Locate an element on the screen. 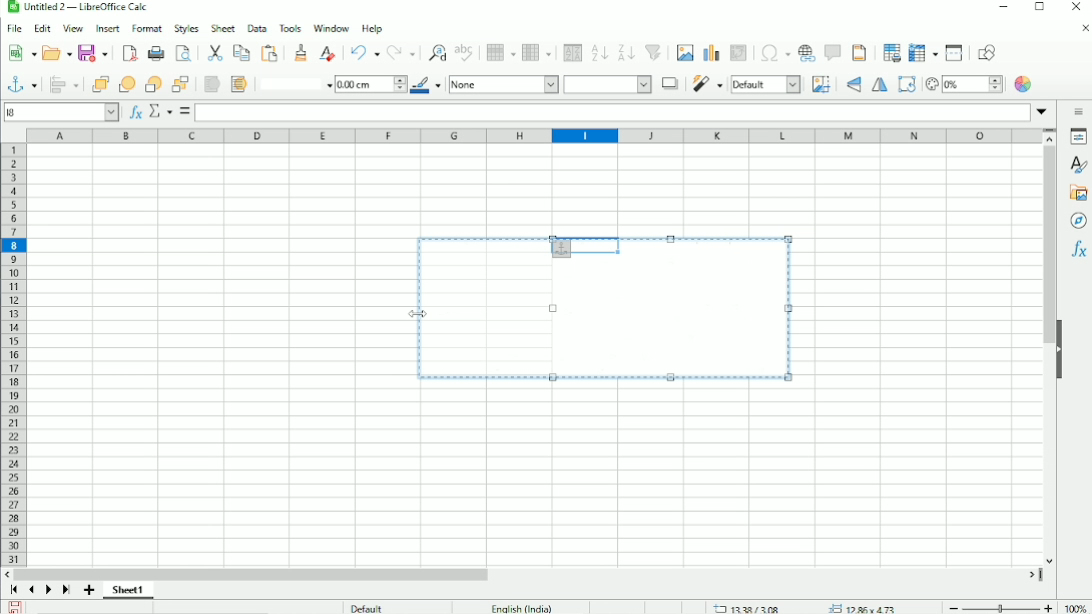 The height and width of the screenshot is (614, 1092). Shadow is located at coordinates (669, 83).